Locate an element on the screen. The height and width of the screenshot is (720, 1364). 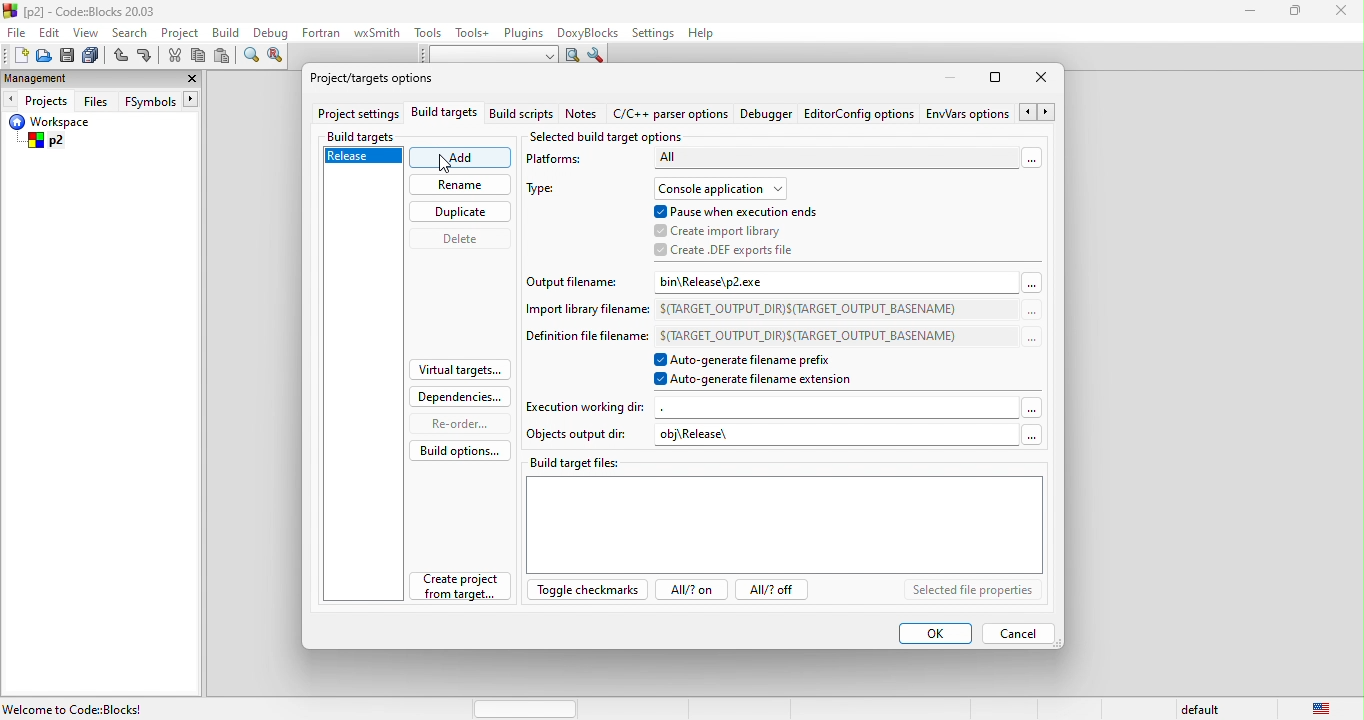
doxyblocks is located at coordinates (589, 33).